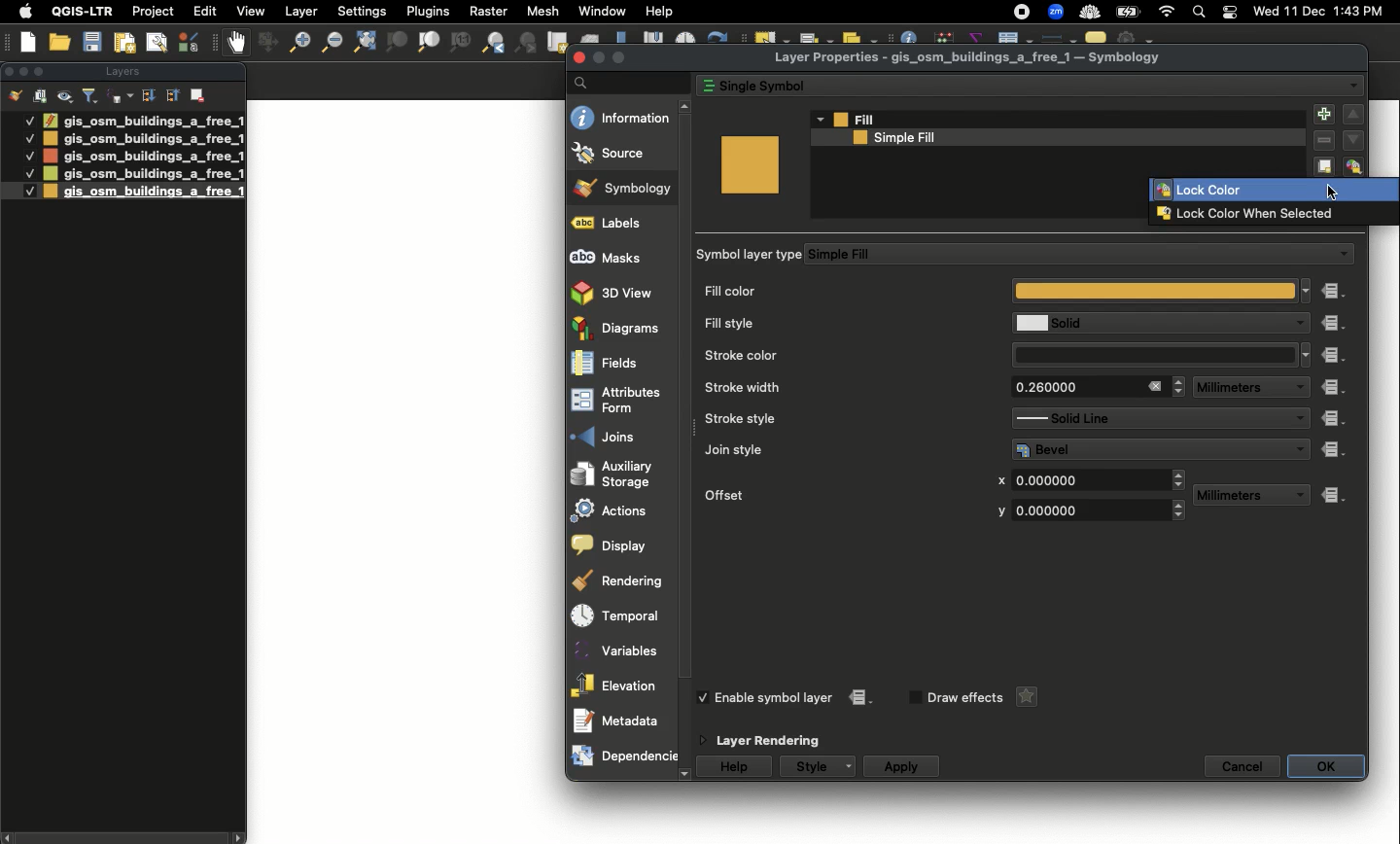  Describe the element at coordinates (1264, 13) in the screenshot. I see `wed` at that location.